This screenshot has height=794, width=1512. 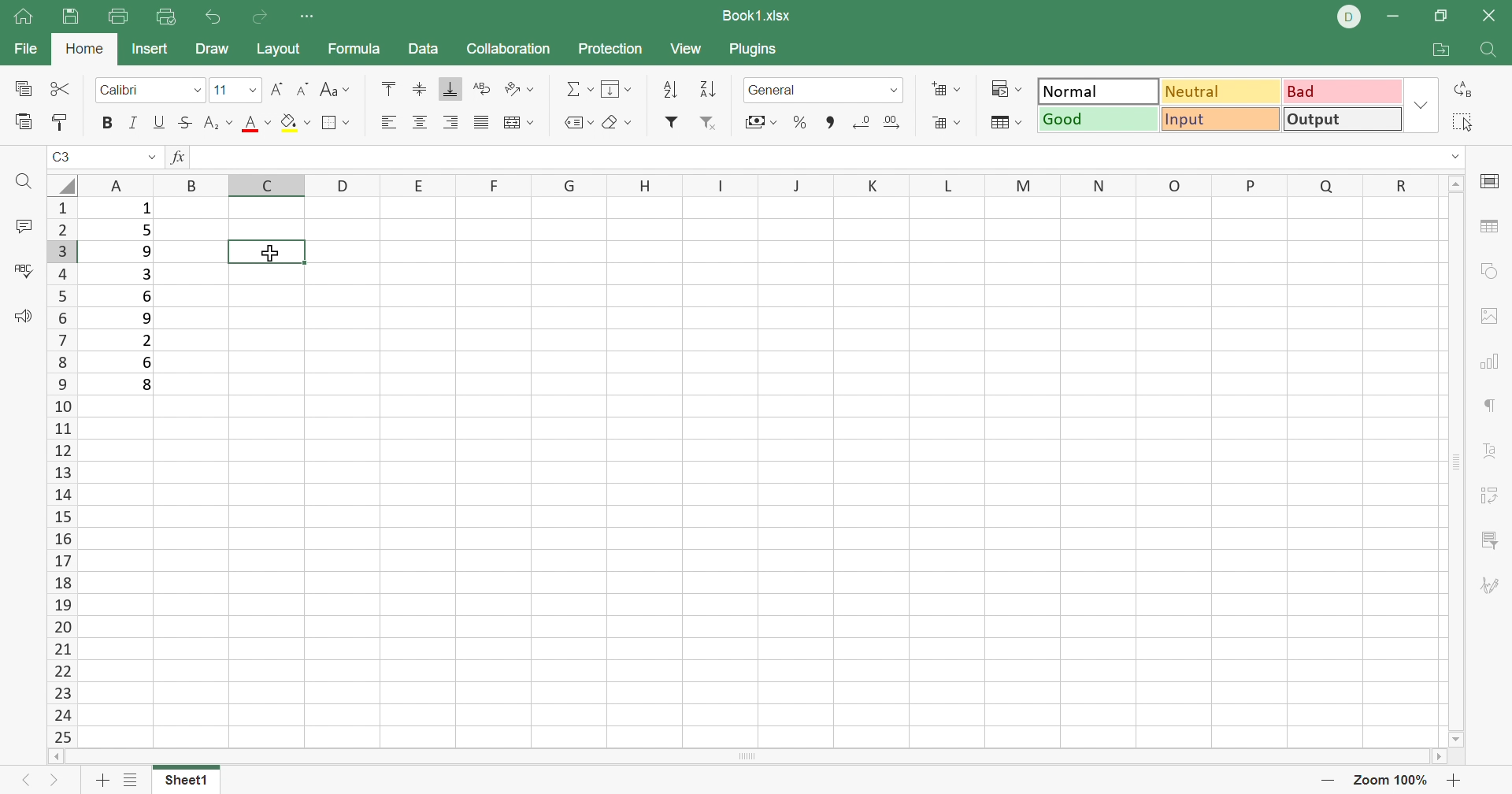 What do you see at coordinates (1487, 318) in the screenshot?
I see `Image settings` at bounding box center [1487, 318].